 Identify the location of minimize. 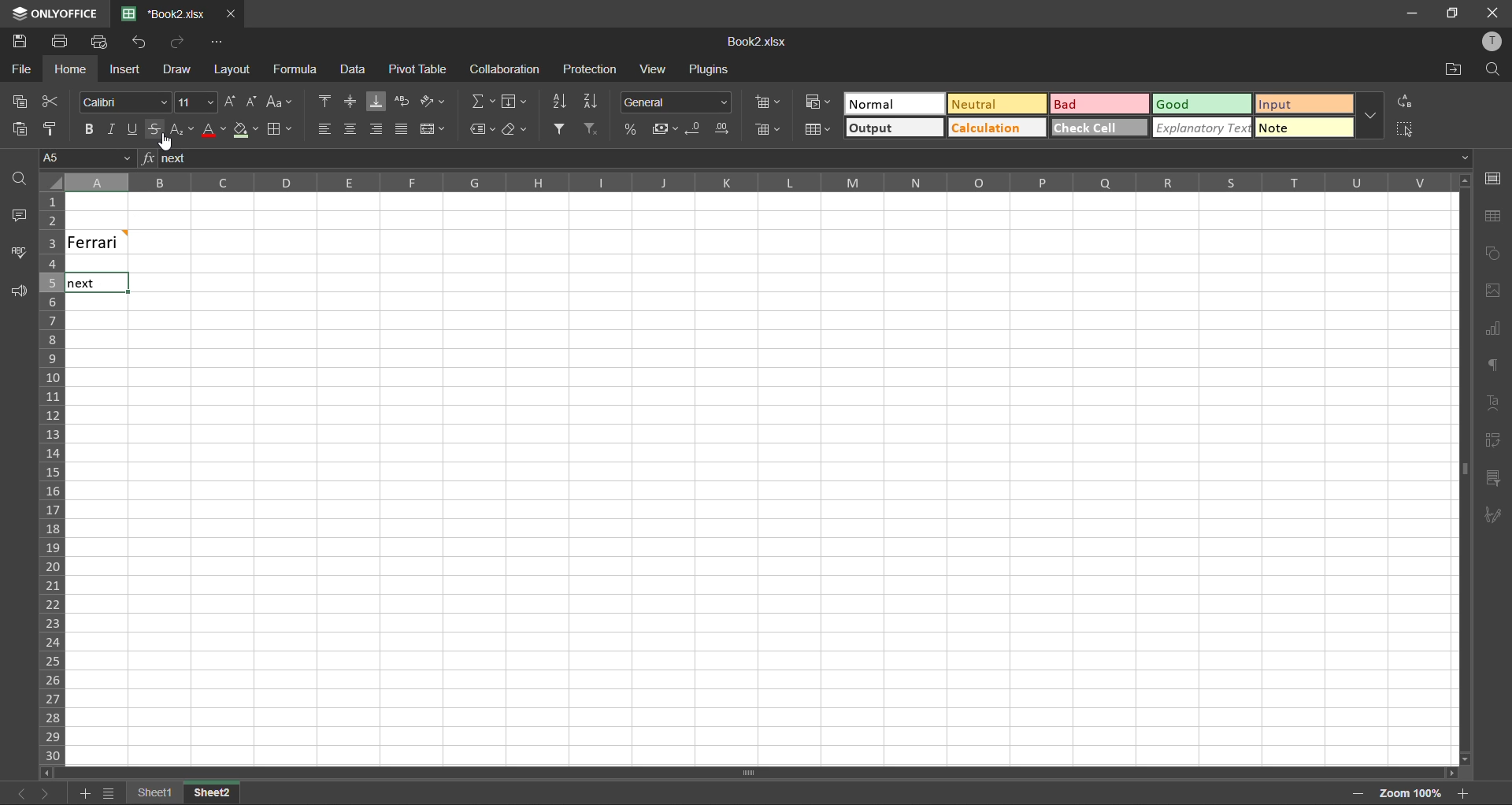
(1412, 13).